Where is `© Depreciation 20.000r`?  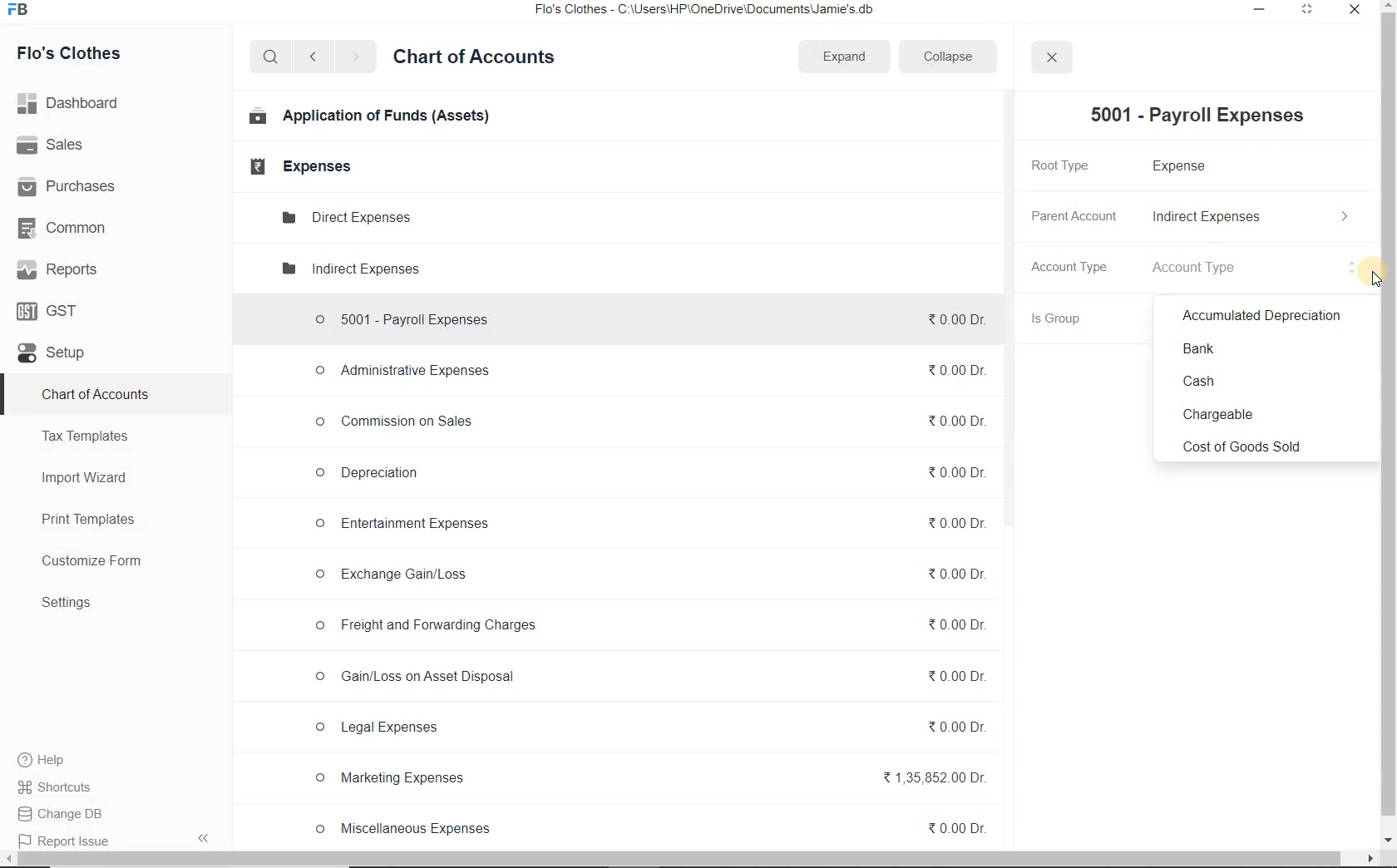
© Depreciation 20.000r is located at coordinates (644, 471).